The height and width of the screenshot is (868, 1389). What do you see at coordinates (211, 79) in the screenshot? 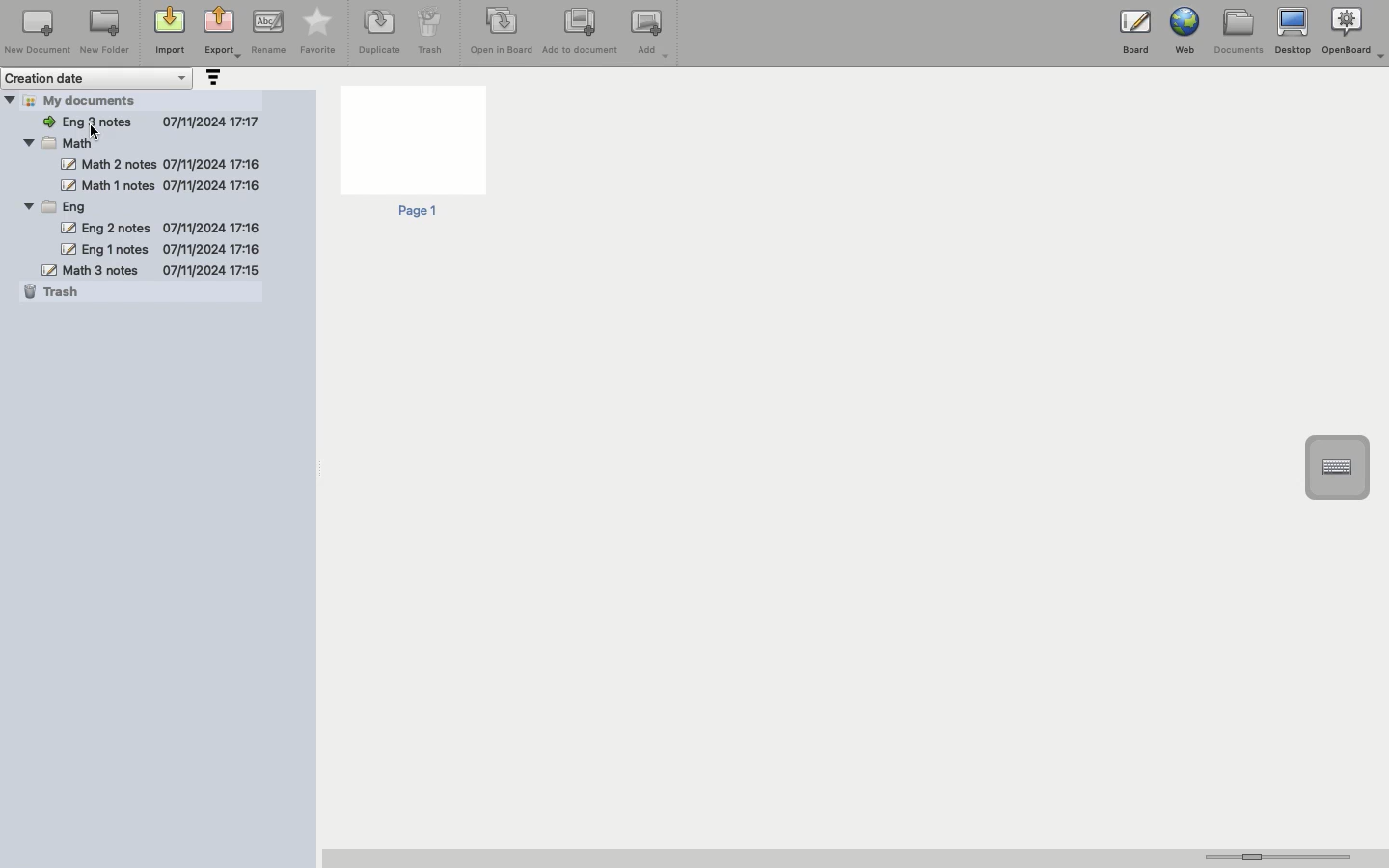
I see `Sort` at bounding box center [211, 79].